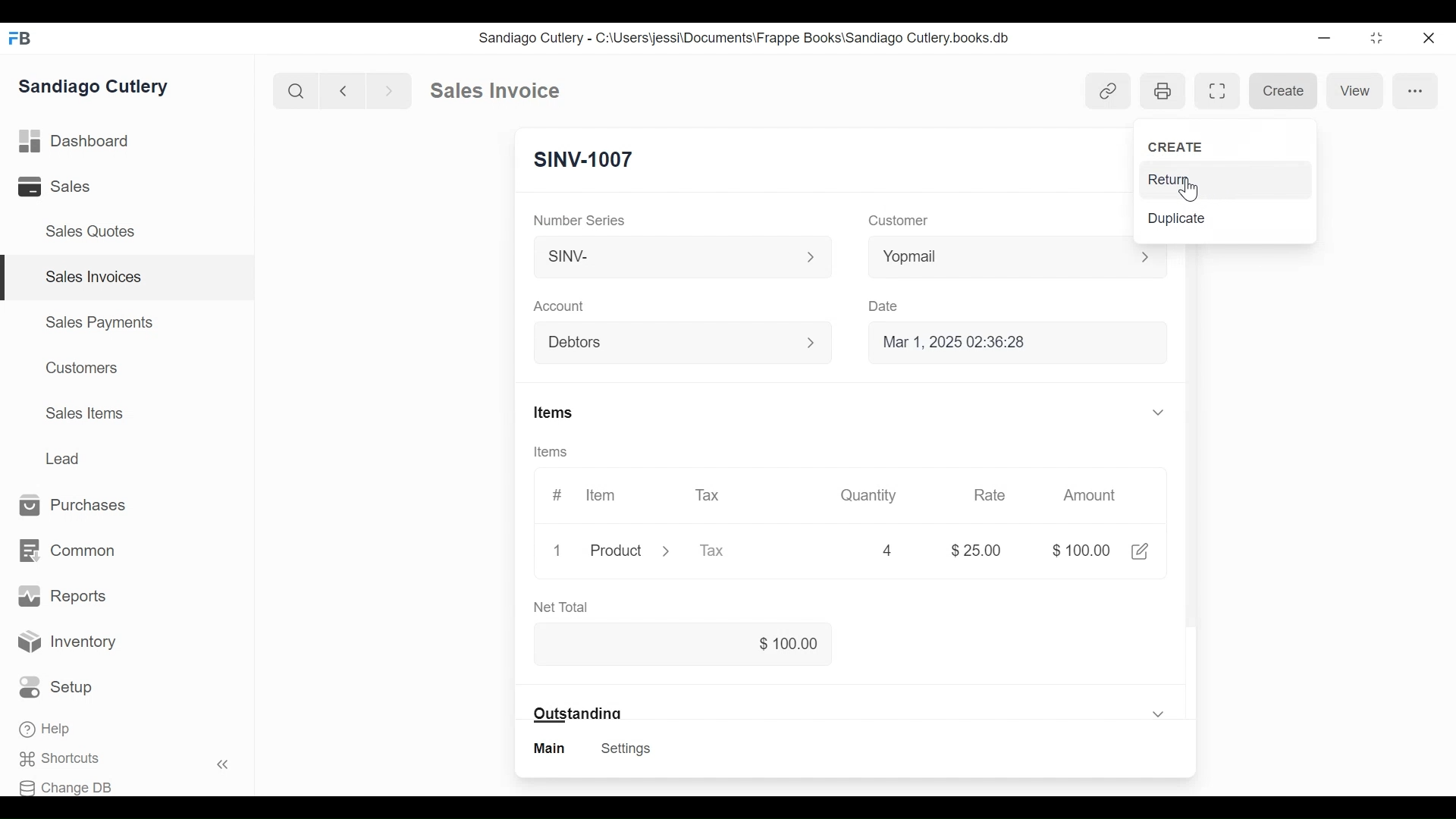 Image resolution: width=1456 pixels, height=819 pixels. What do you see at coordinates (709, 495) in the screenshot?
I see `Tax` at bounding box center [709, 495].